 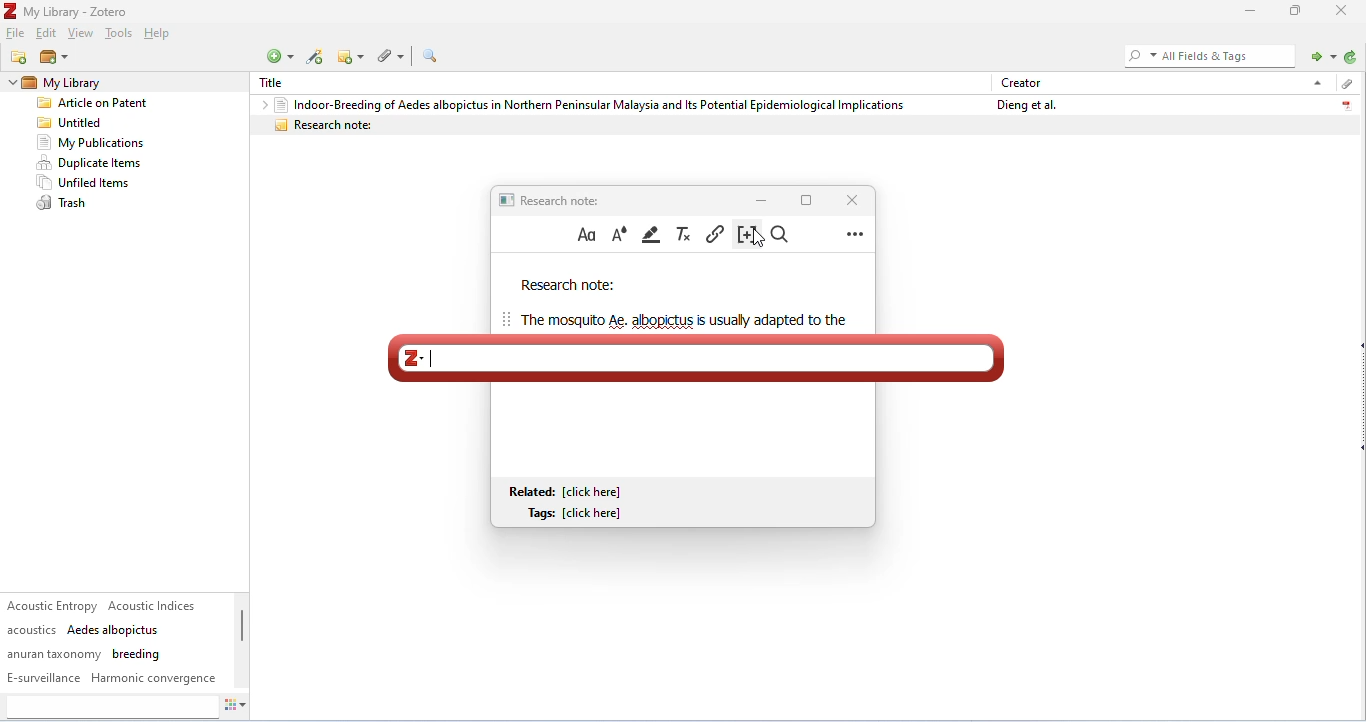 I want to click on creator, so click(x=1022, y=82).